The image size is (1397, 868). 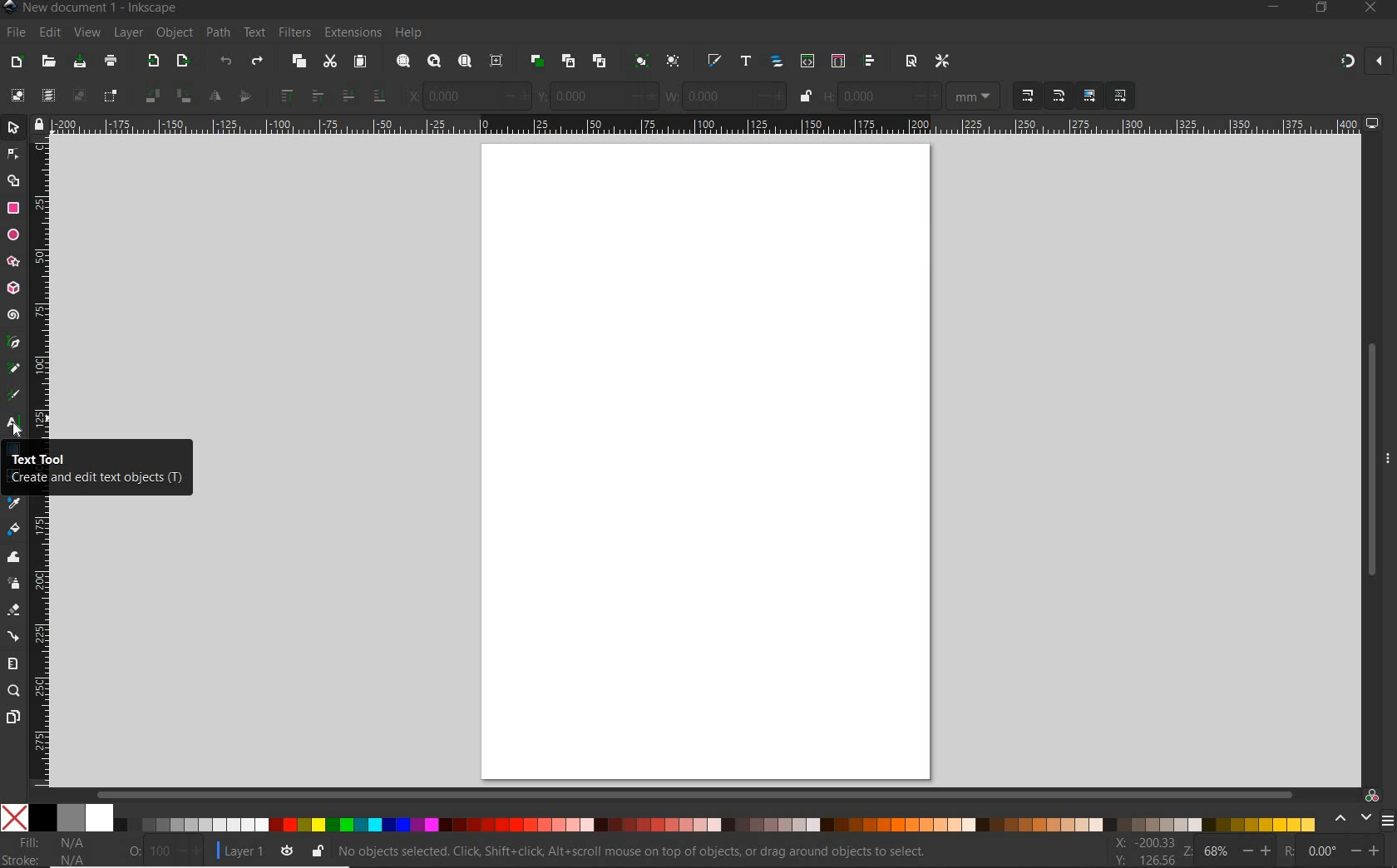 I want to click on open file dialog, so click(x=47, y=62).